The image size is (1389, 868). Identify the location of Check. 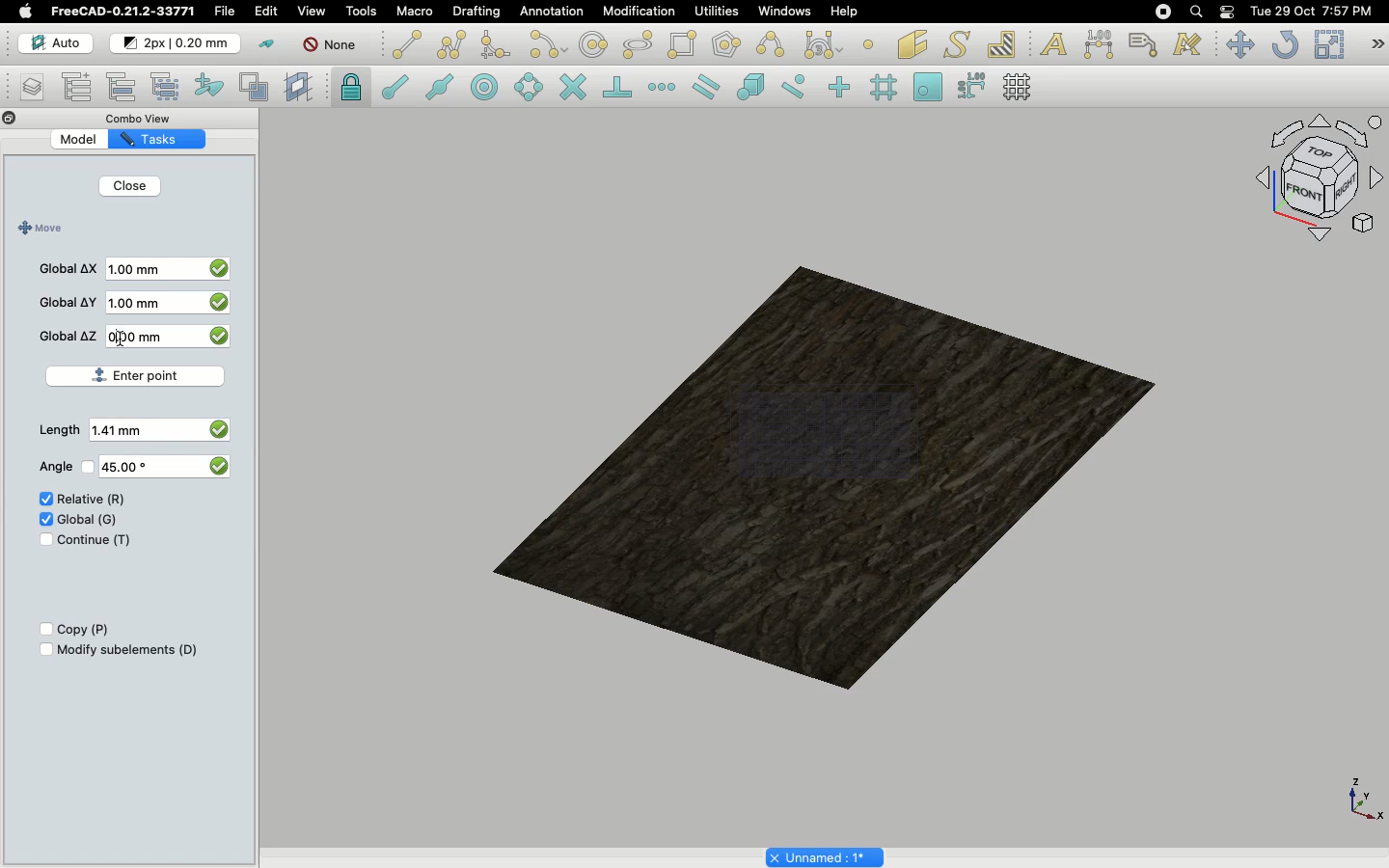
(41, 501).